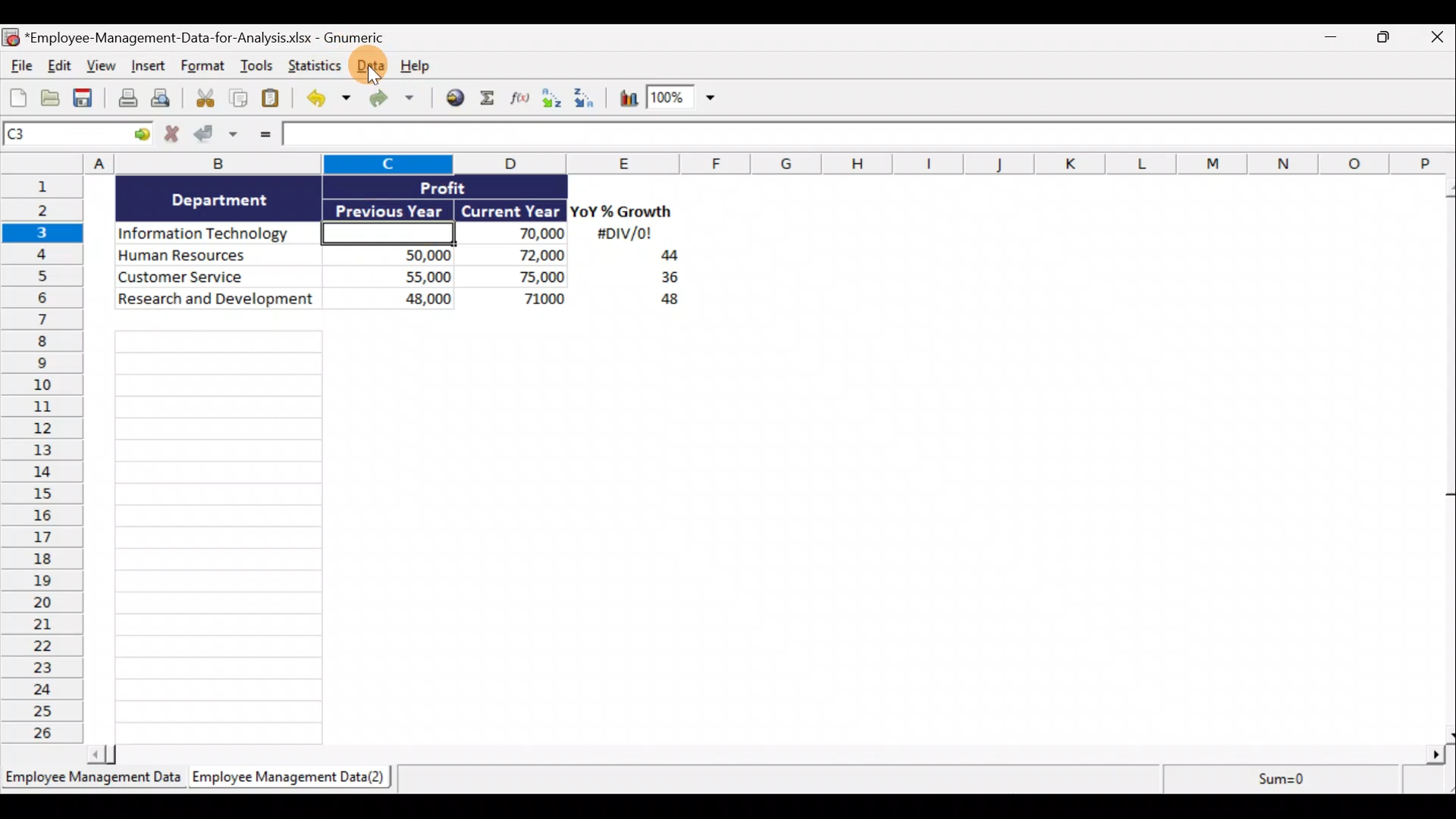  What do you see at coordinates (215, 256) in the screenshot?
I see `Human Resources` at bounding box center [215, 256].